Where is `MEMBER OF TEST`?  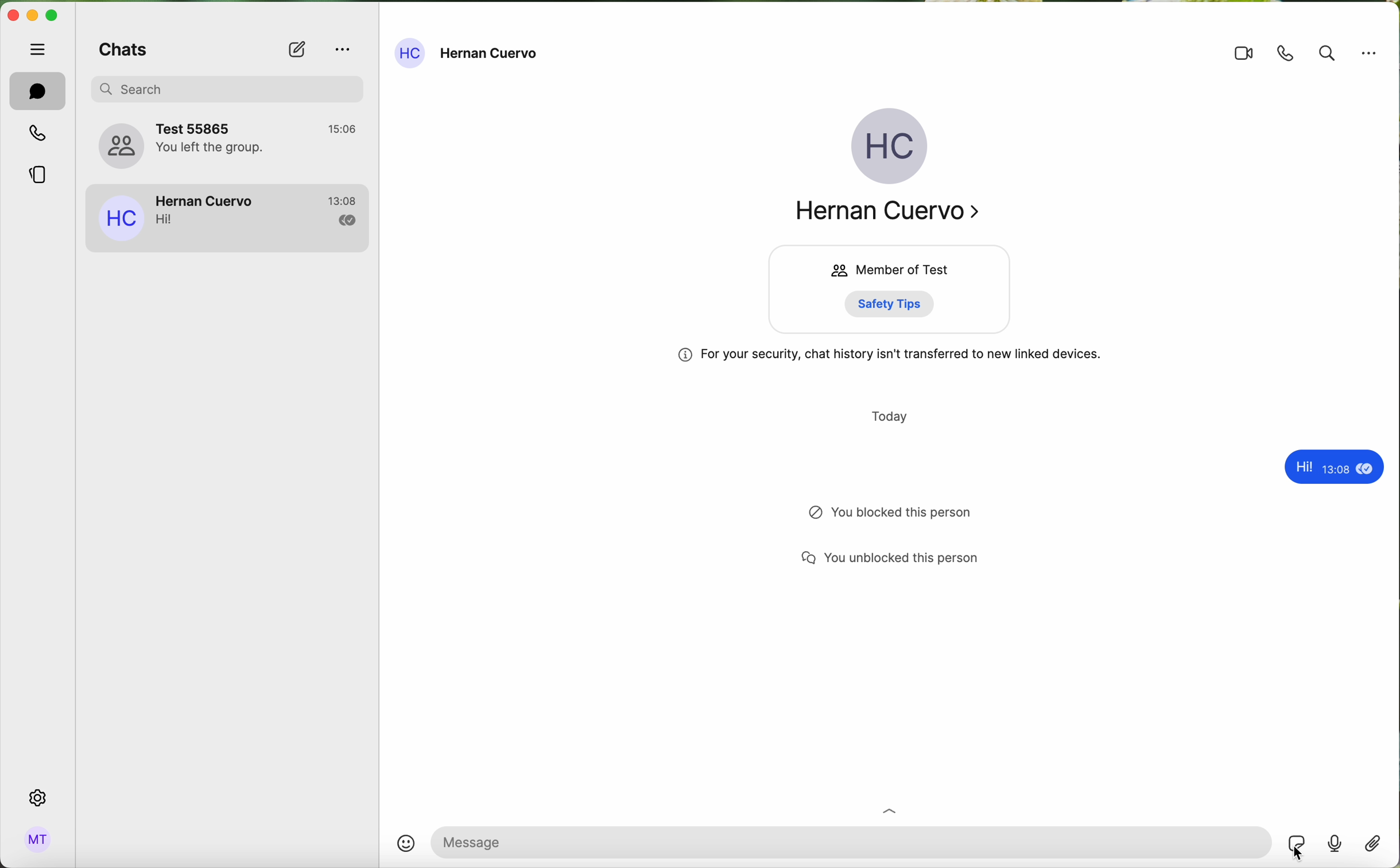
MEMBER OF TEST is located at coordinates (885, 269).